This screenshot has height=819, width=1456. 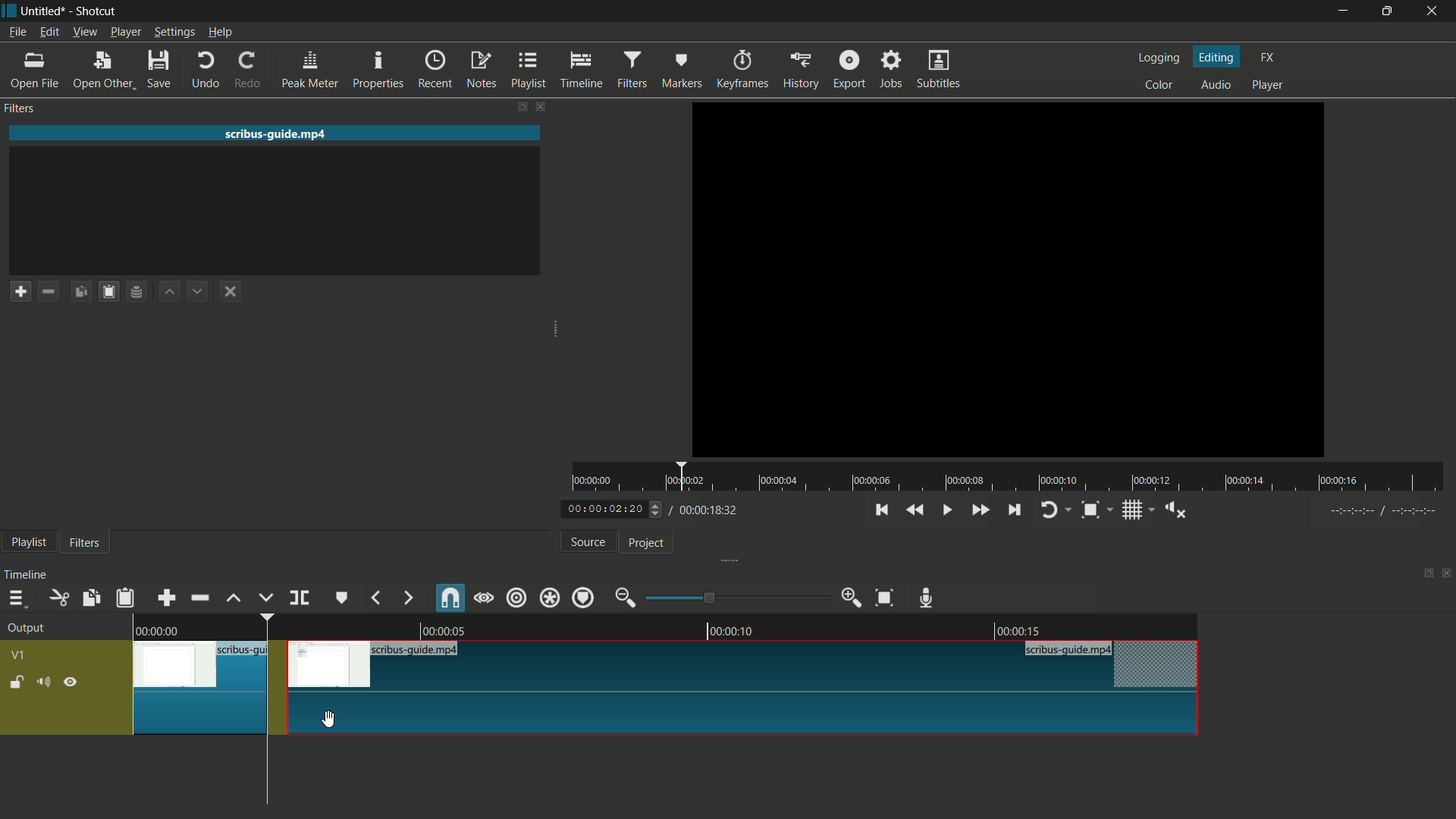 I want to click on open other, so click(x=103, y=70).